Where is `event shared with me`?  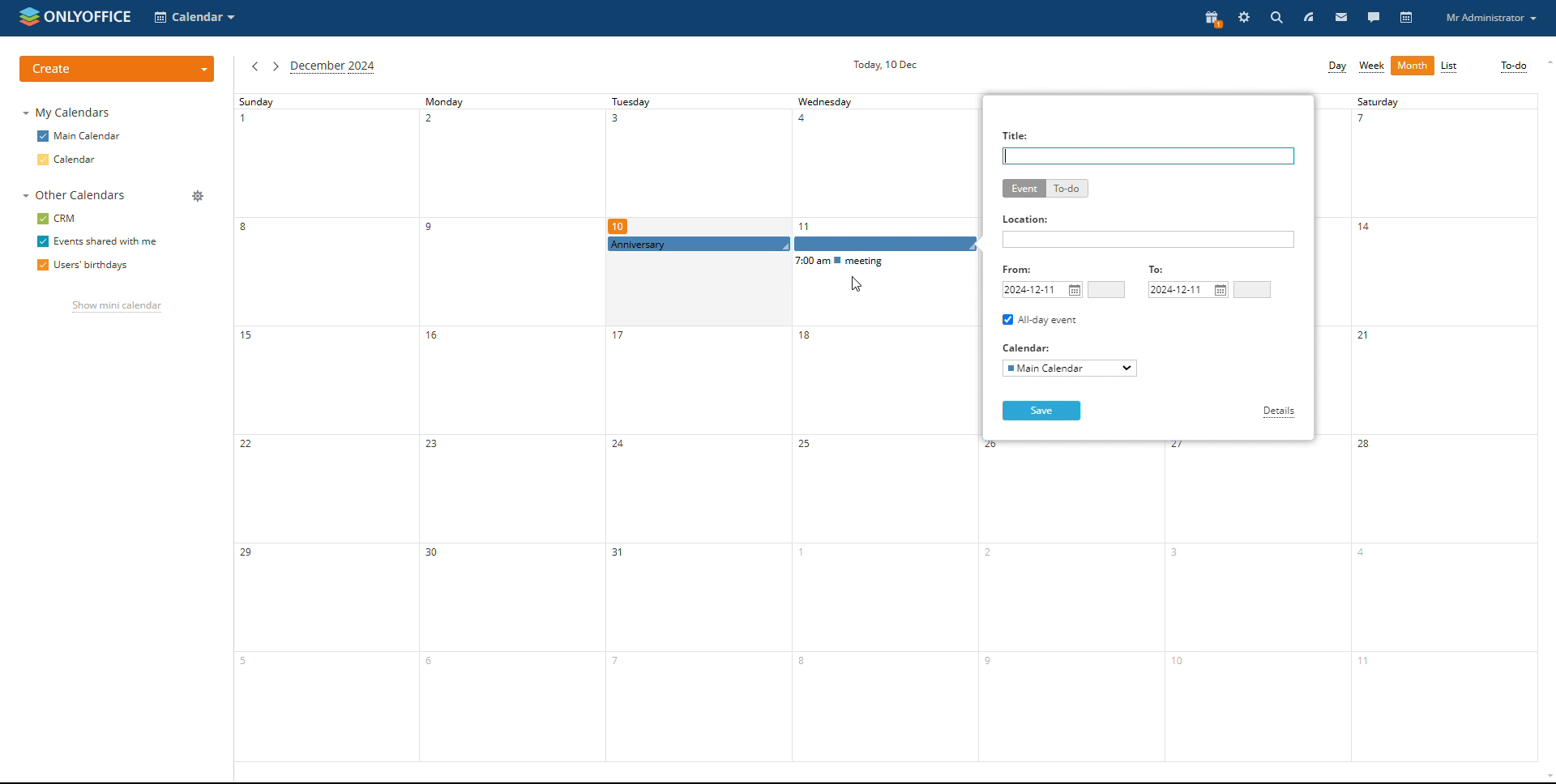
event shared with me is located at coordinates (96, 242).